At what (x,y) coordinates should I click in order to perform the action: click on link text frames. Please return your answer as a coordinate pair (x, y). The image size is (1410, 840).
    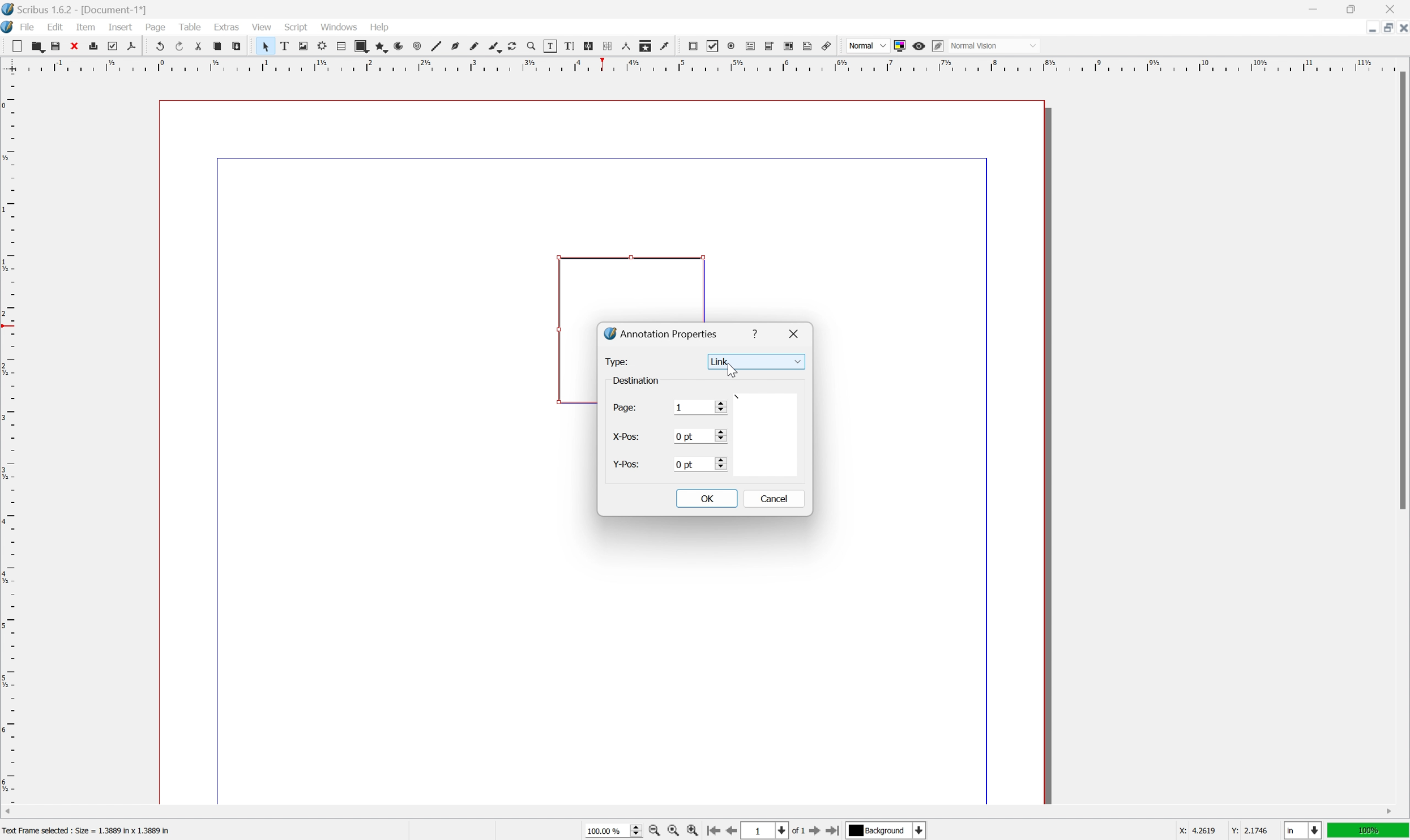
    Looking at the image, I should click on (589, 46).